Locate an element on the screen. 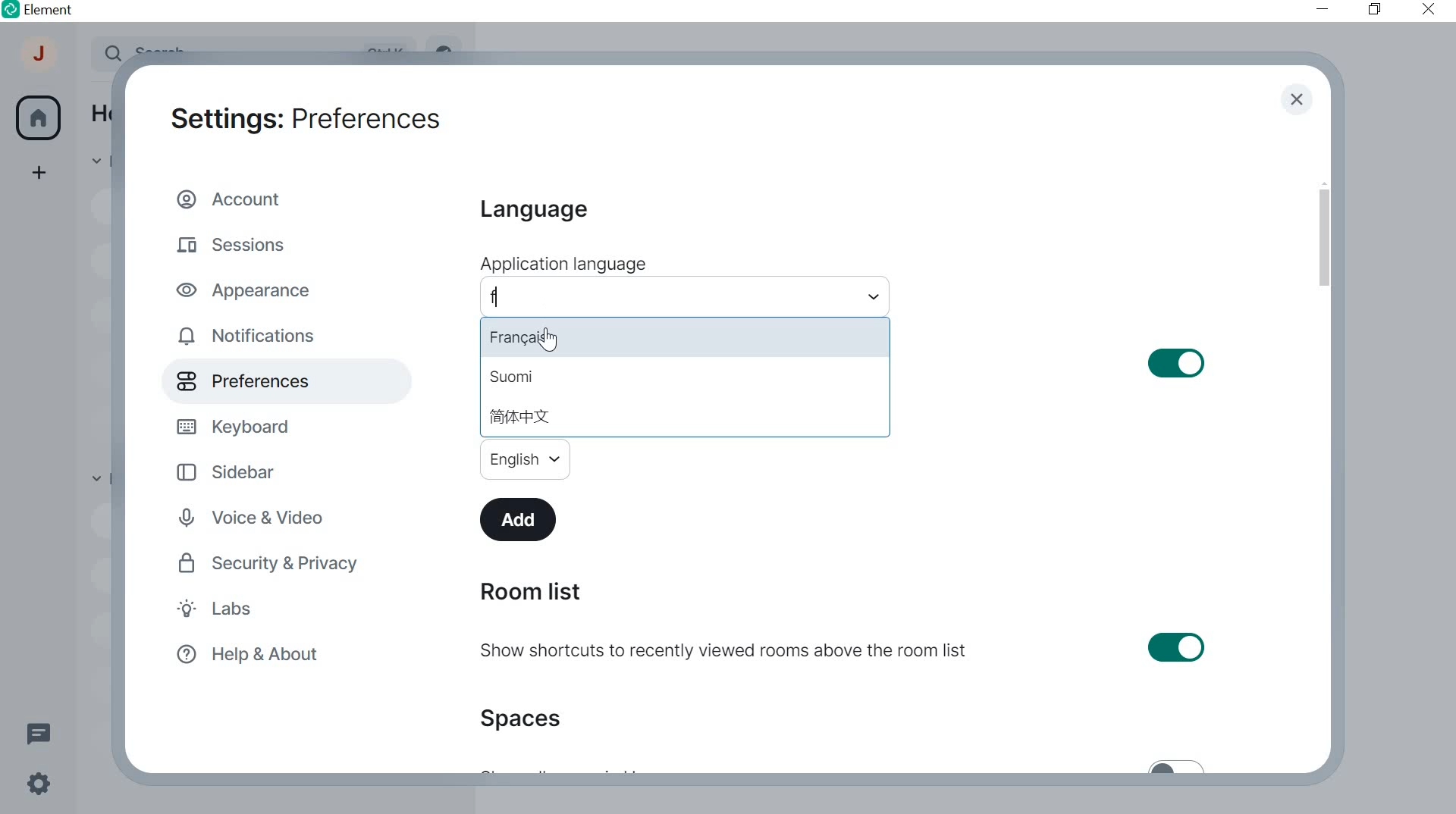 The height and width of the screenshot is (814, 1456). CHINES is located at coordinates (519, 416).